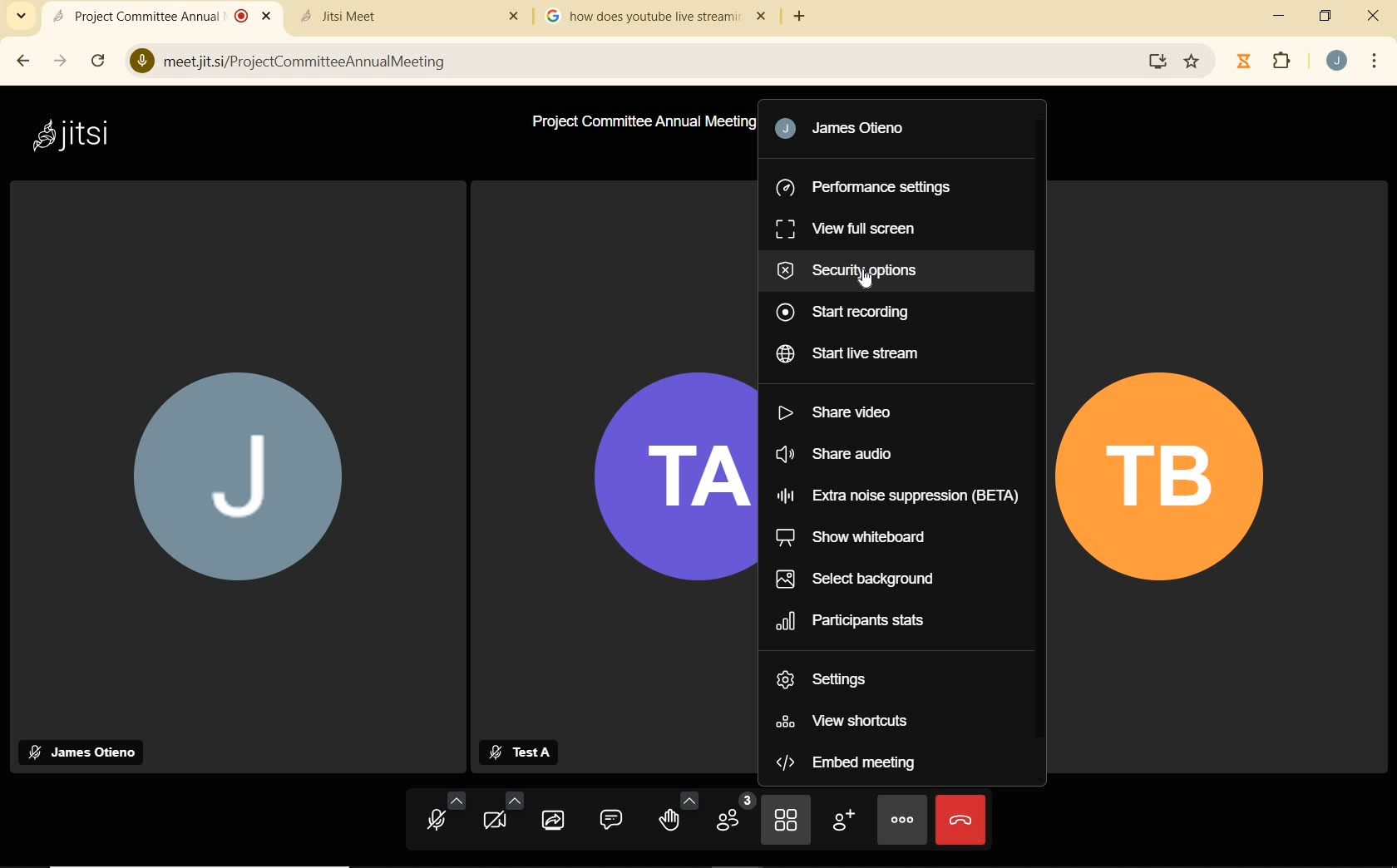  What do you see at coordinates (856, 269) in the screenshot?
I see `SECURITY OPTIONS` at bounding box center [856, 269].